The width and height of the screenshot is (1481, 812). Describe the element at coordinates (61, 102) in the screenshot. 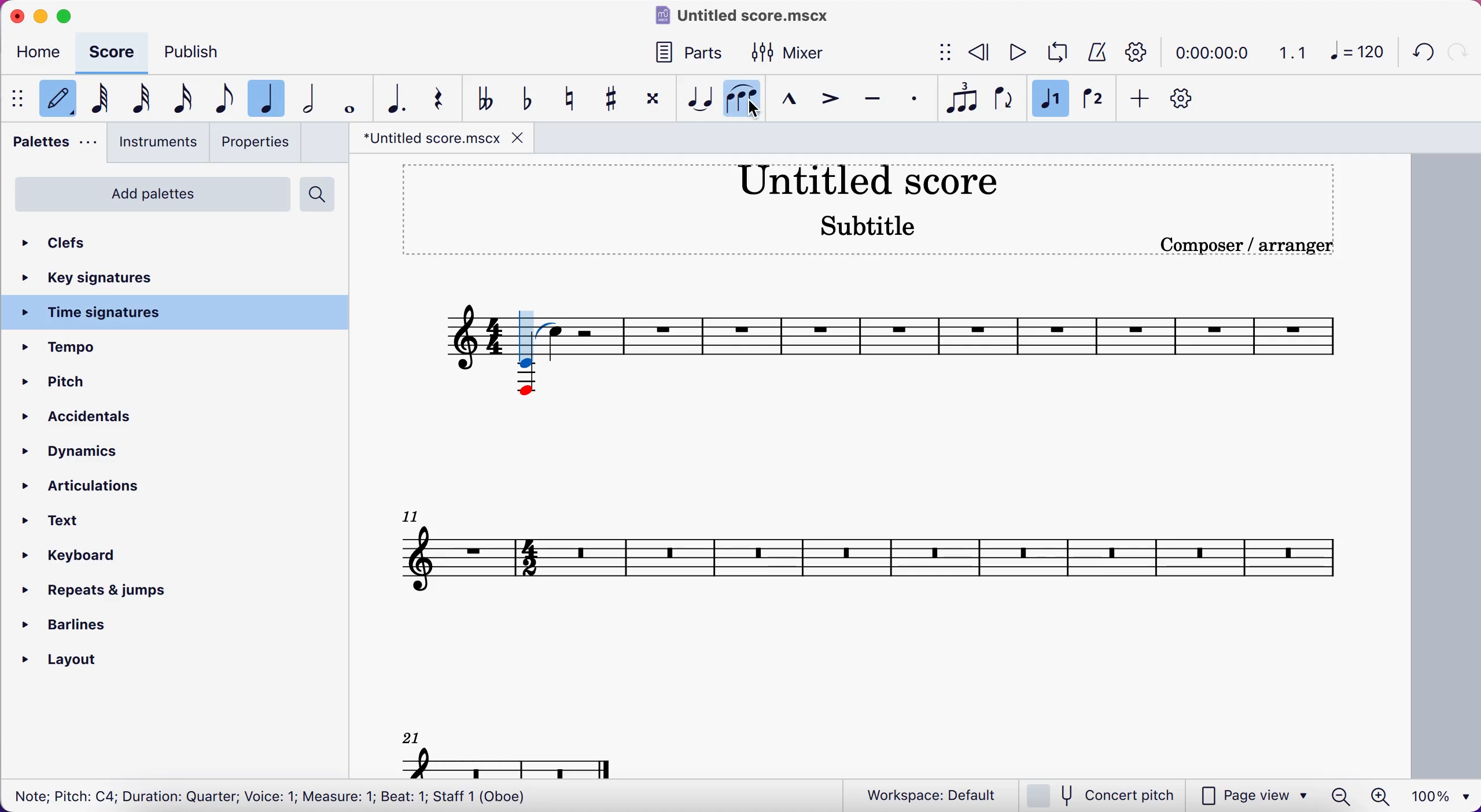

I see `default` at that location.